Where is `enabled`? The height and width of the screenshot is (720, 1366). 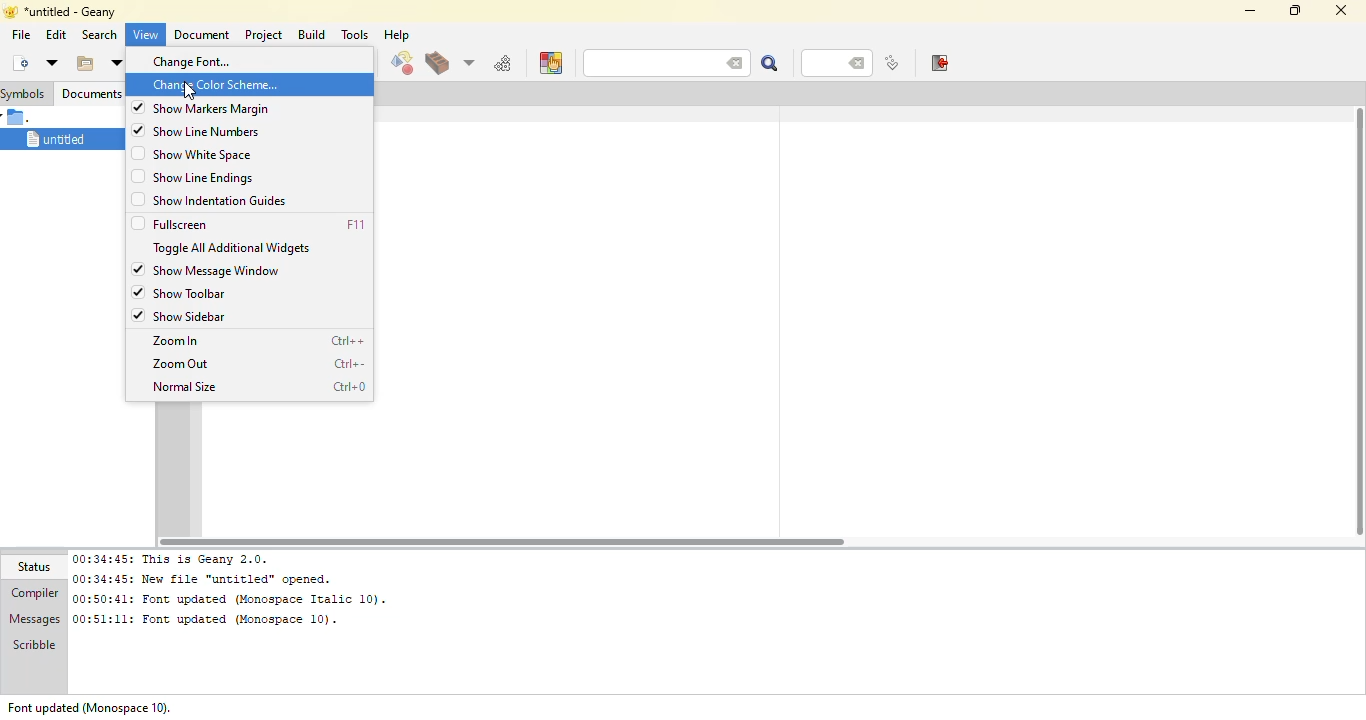 enabled is located at coordinates (138, 292).